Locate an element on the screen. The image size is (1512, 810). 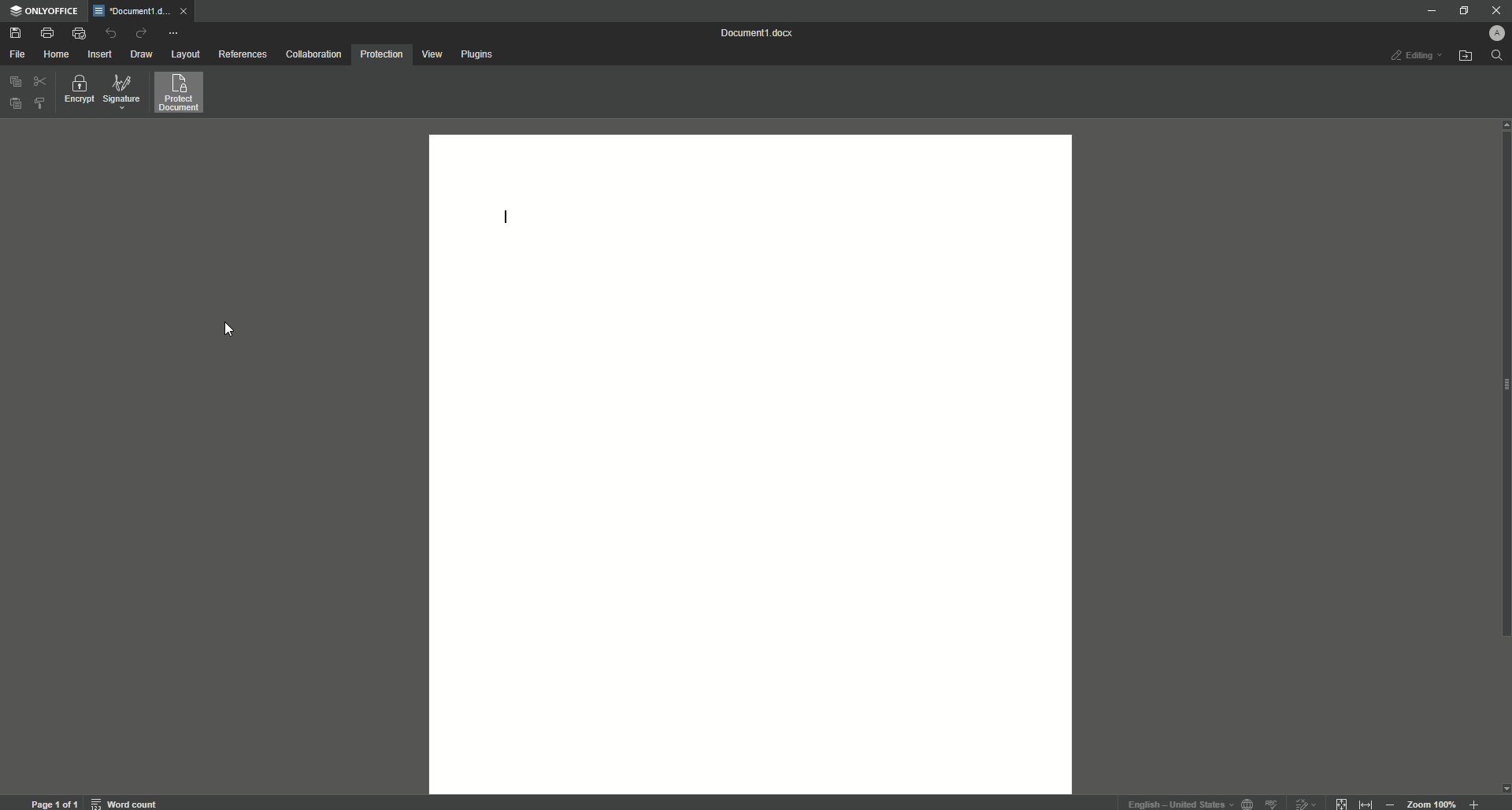
ONLYOFFICE is located at coordinates (47, 12).